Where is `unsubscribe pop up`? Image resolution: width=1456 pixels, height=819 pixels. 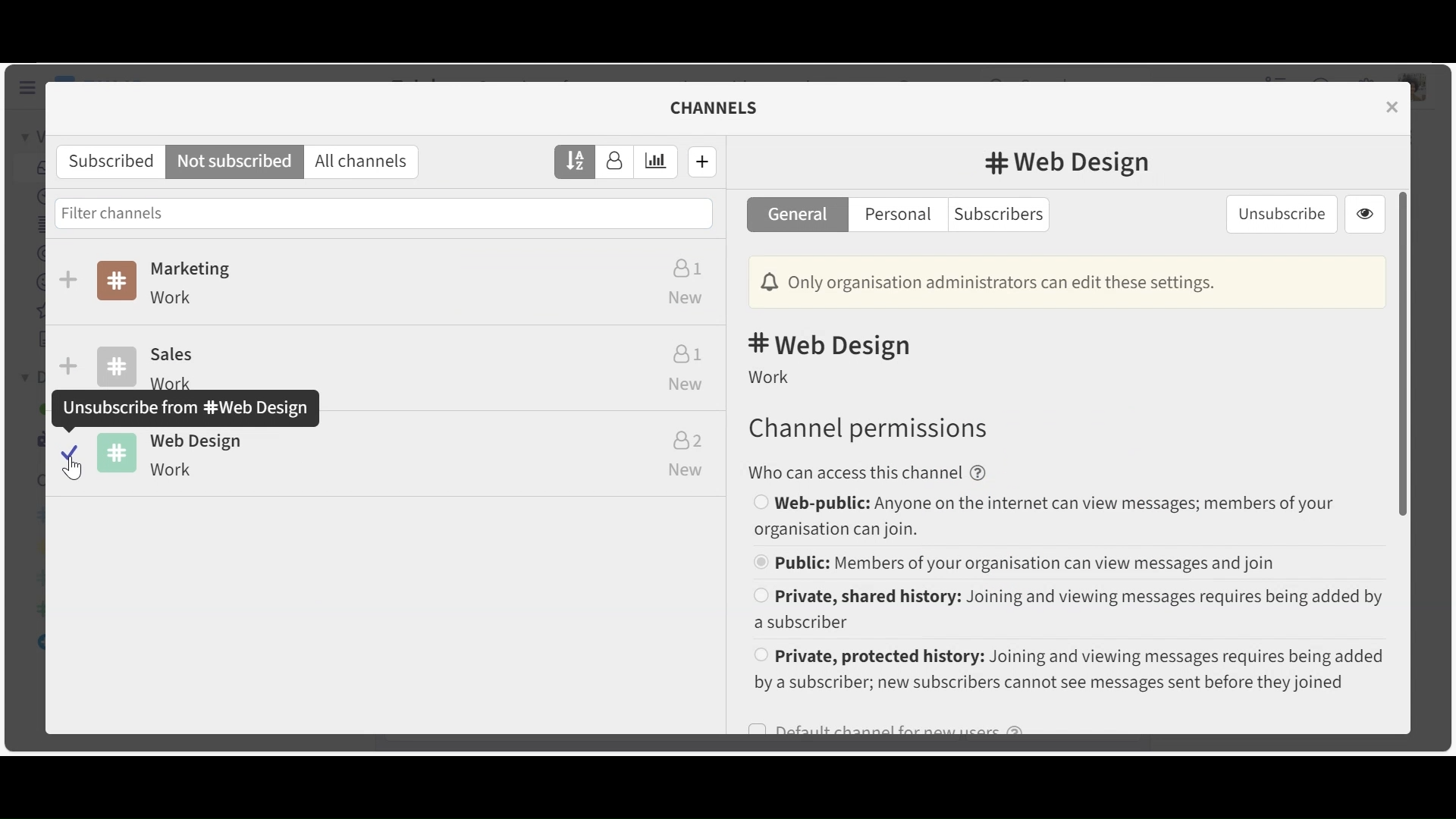 unsubscribe pop up is located at coordinates (184, 407).